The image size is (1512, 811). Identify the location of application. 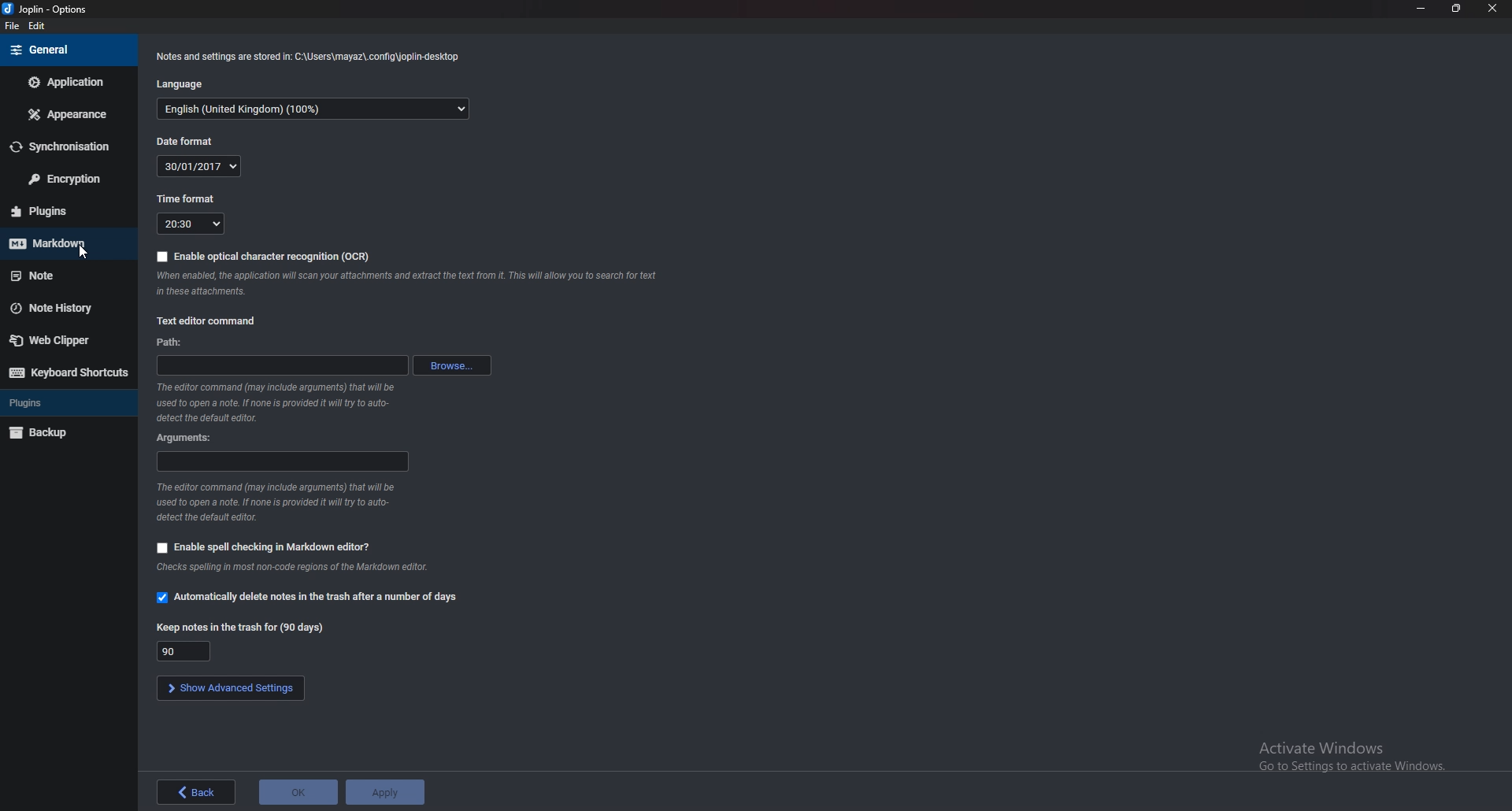
(65, 80).